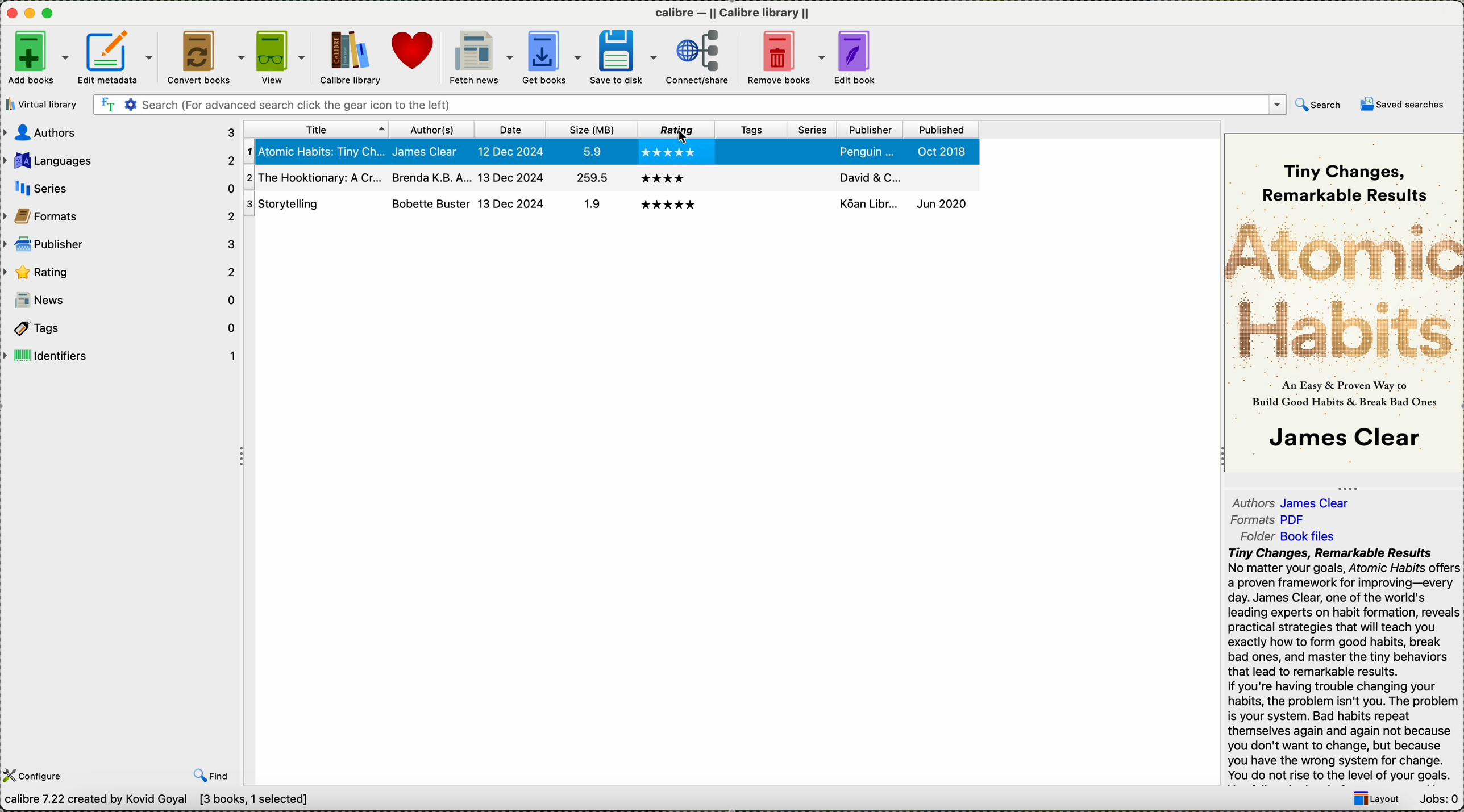  I want to click on saved searches, so click(1406, 105).